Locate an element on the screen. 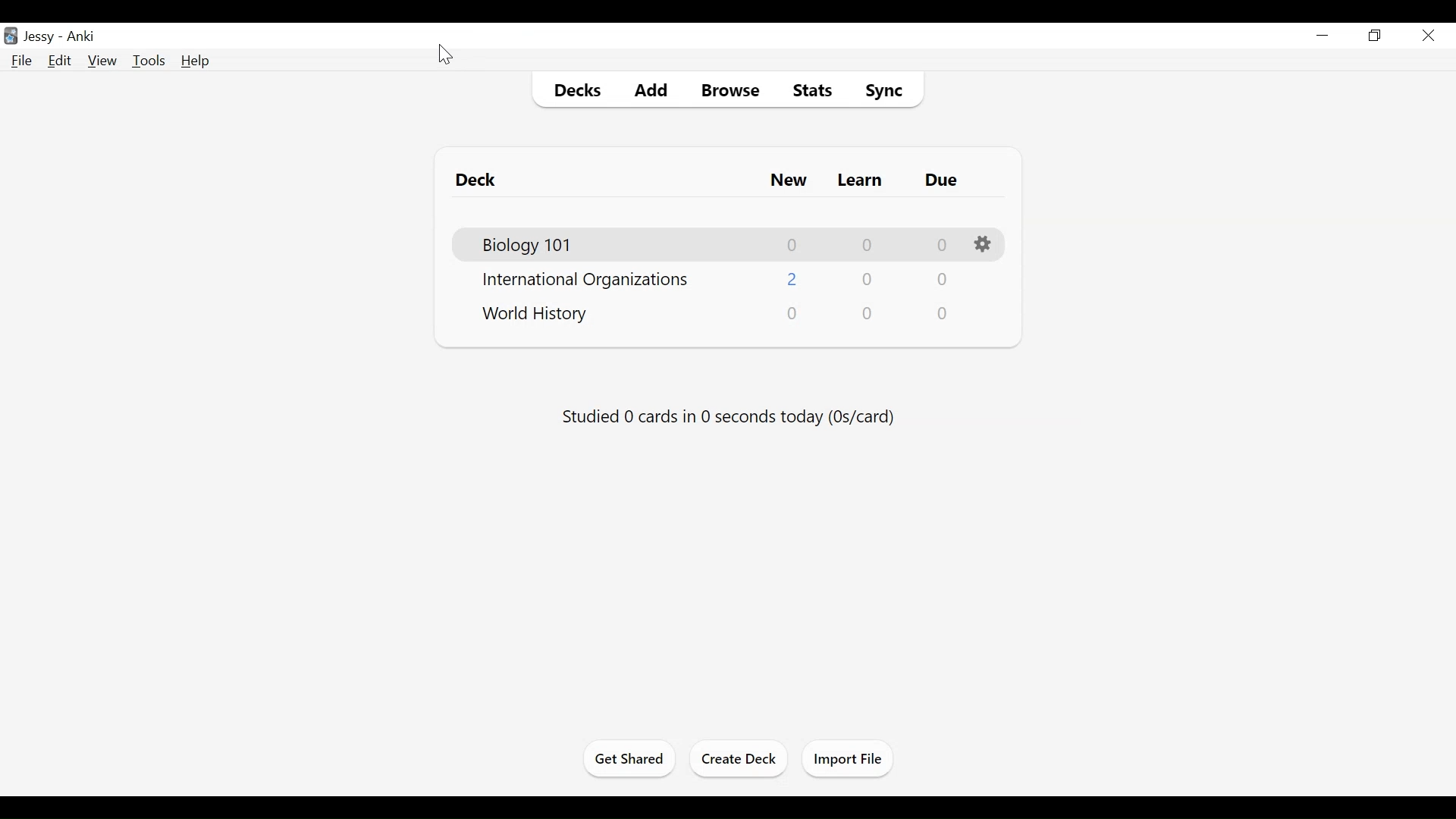 Image resolution: width=1456 pixels, height=819 pixels. Decks is located at coordinates (573, 88).